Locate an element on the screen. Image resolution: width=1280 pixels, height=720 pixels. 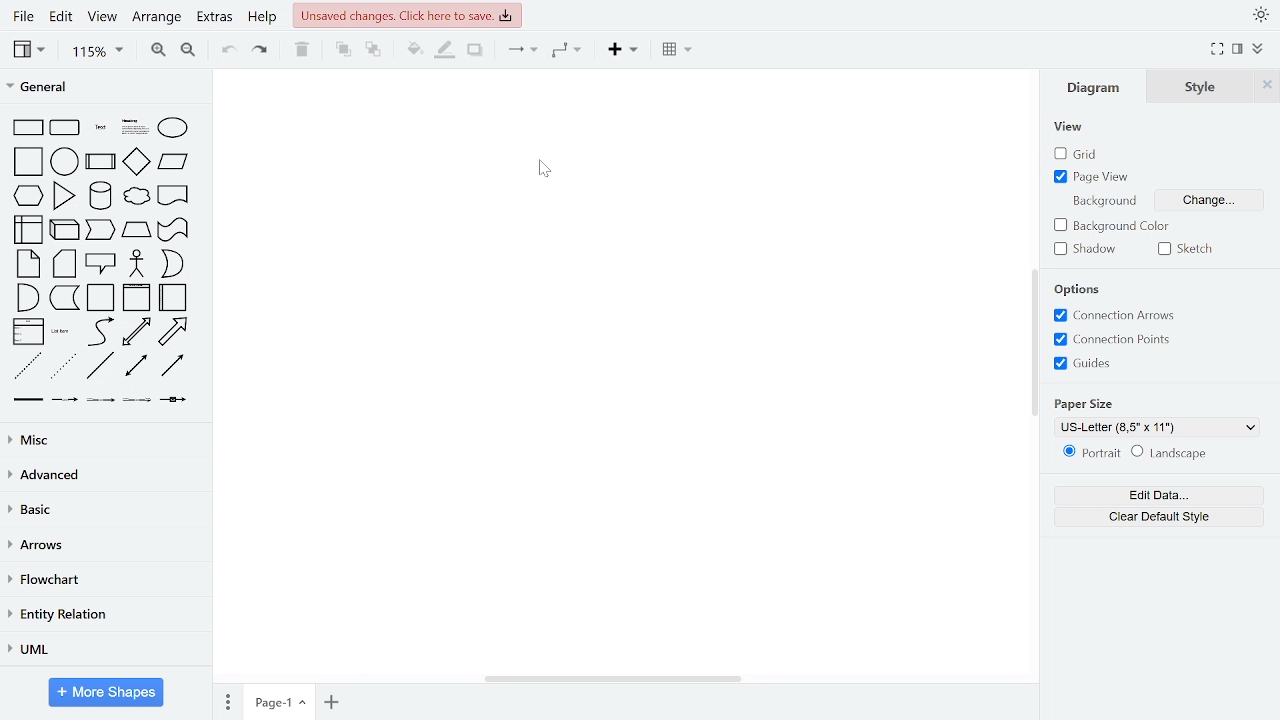
undo is located at coordinates (226, 51).